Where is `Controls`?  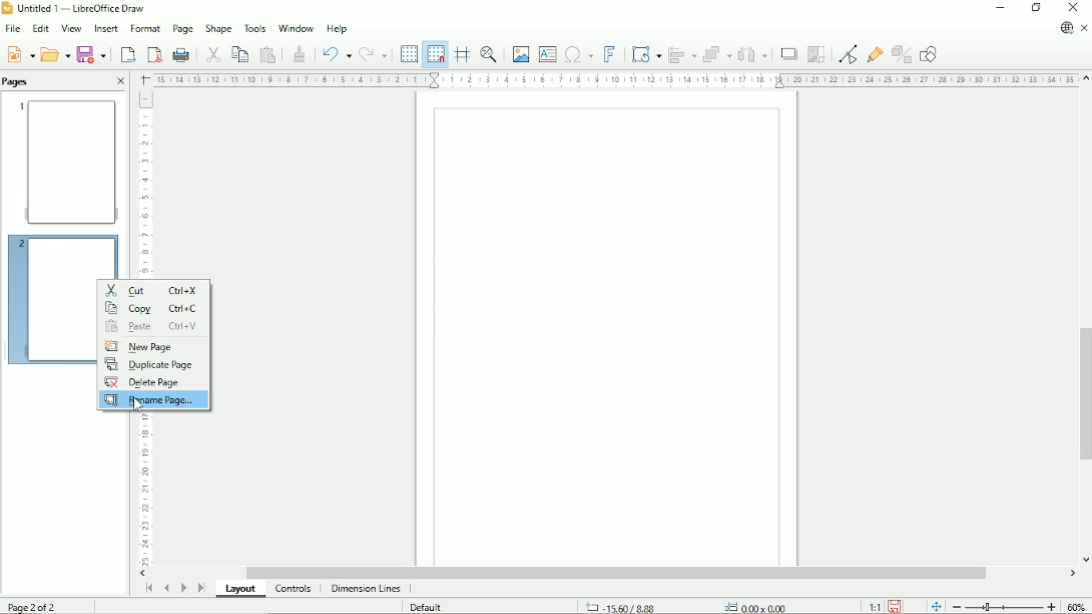
Controls is located at coordinates (295, 589).